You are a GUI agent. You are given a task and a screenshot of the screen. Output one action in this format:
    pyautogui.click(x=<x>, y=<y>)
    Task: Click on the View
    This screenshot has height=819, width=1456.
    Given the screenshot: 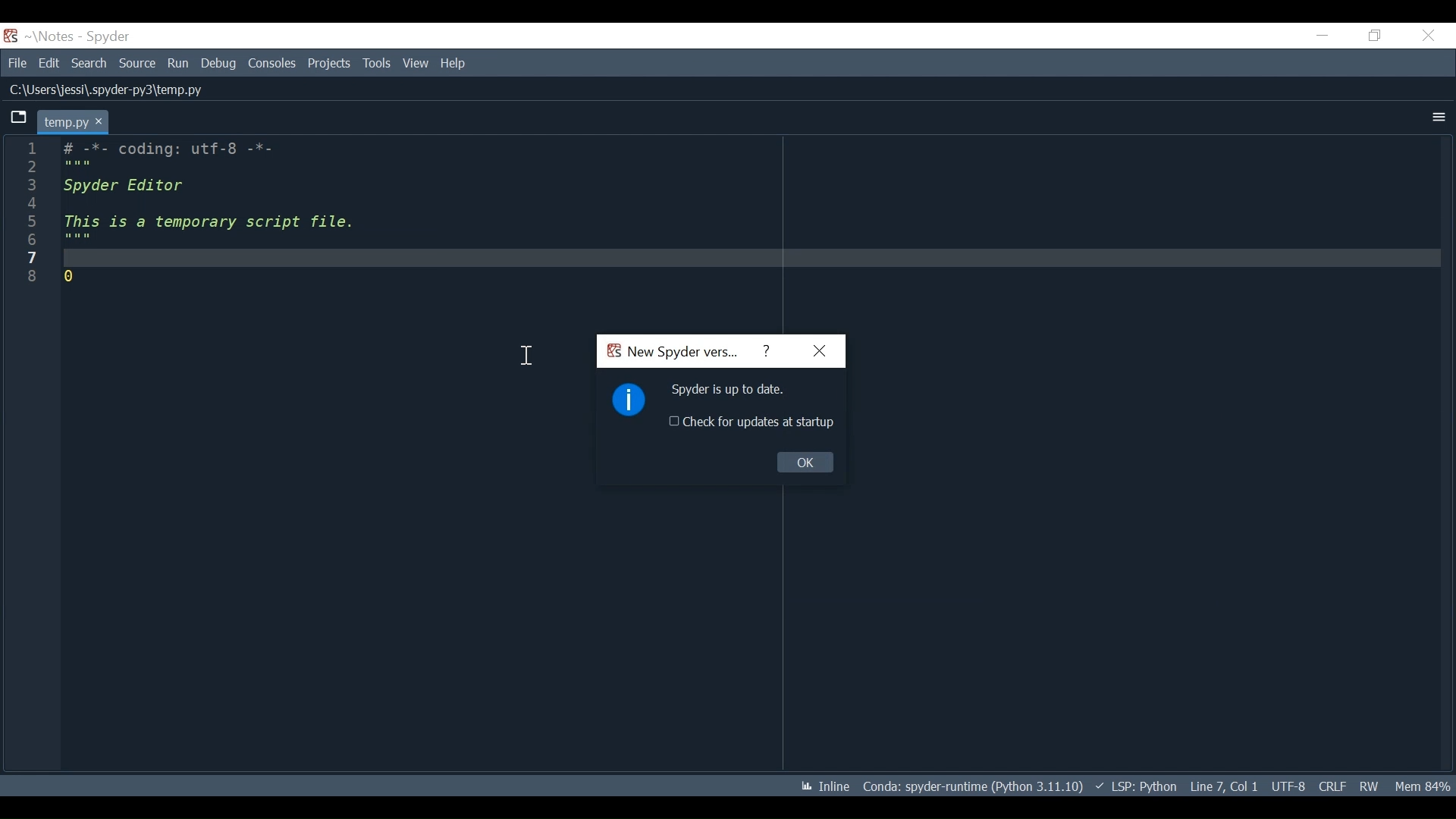 What is the action you would take?
    pyautogui.click(x=416, y=63)
    